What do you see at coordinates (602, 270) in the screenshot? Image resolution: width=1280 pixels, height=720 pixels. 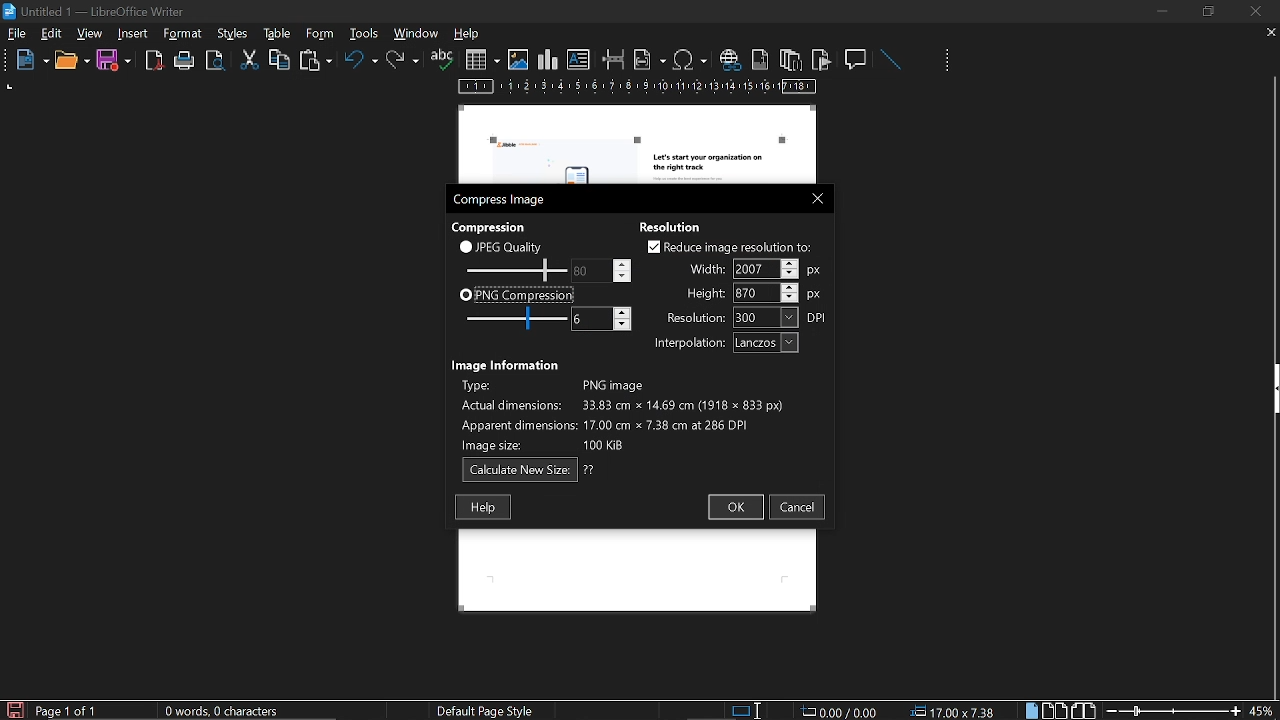 I see `change jpeg quality ` at bounding box center [602, 270].